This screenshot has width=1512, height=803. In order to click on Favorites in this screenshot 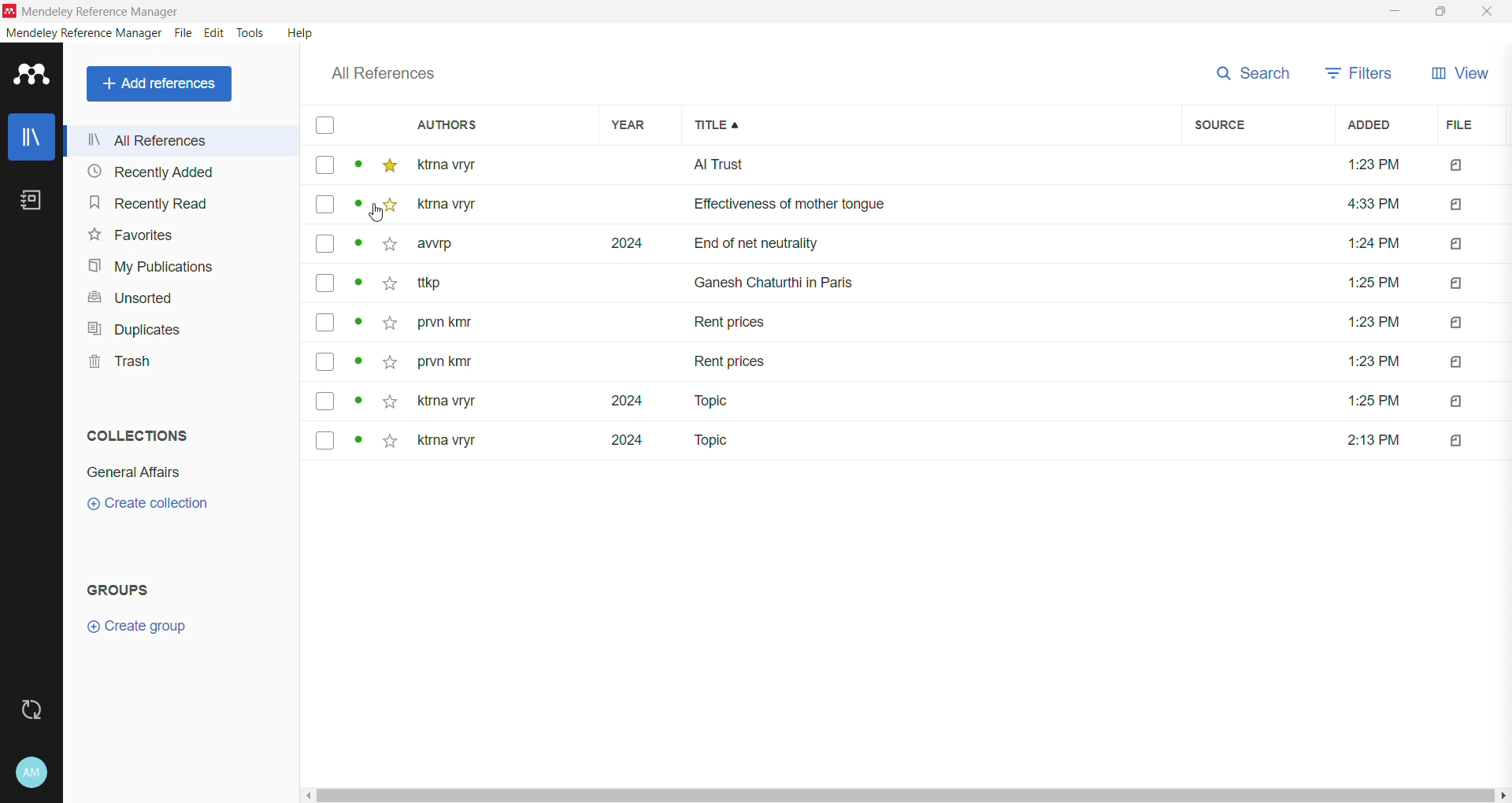, I will do `click(132, 235)`.